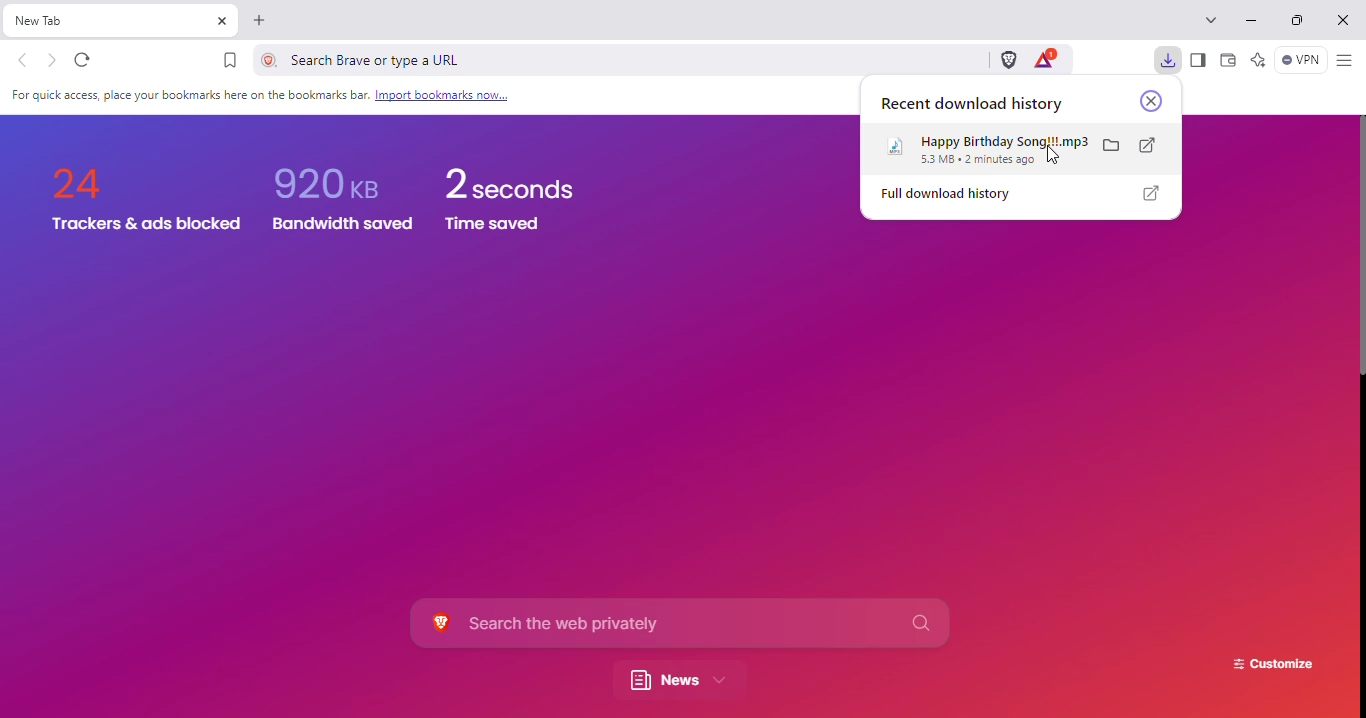  What do you see at coordinates (1009, 59) in the screenshot?
I see `brave shields` at bounding box center [1009, 59].